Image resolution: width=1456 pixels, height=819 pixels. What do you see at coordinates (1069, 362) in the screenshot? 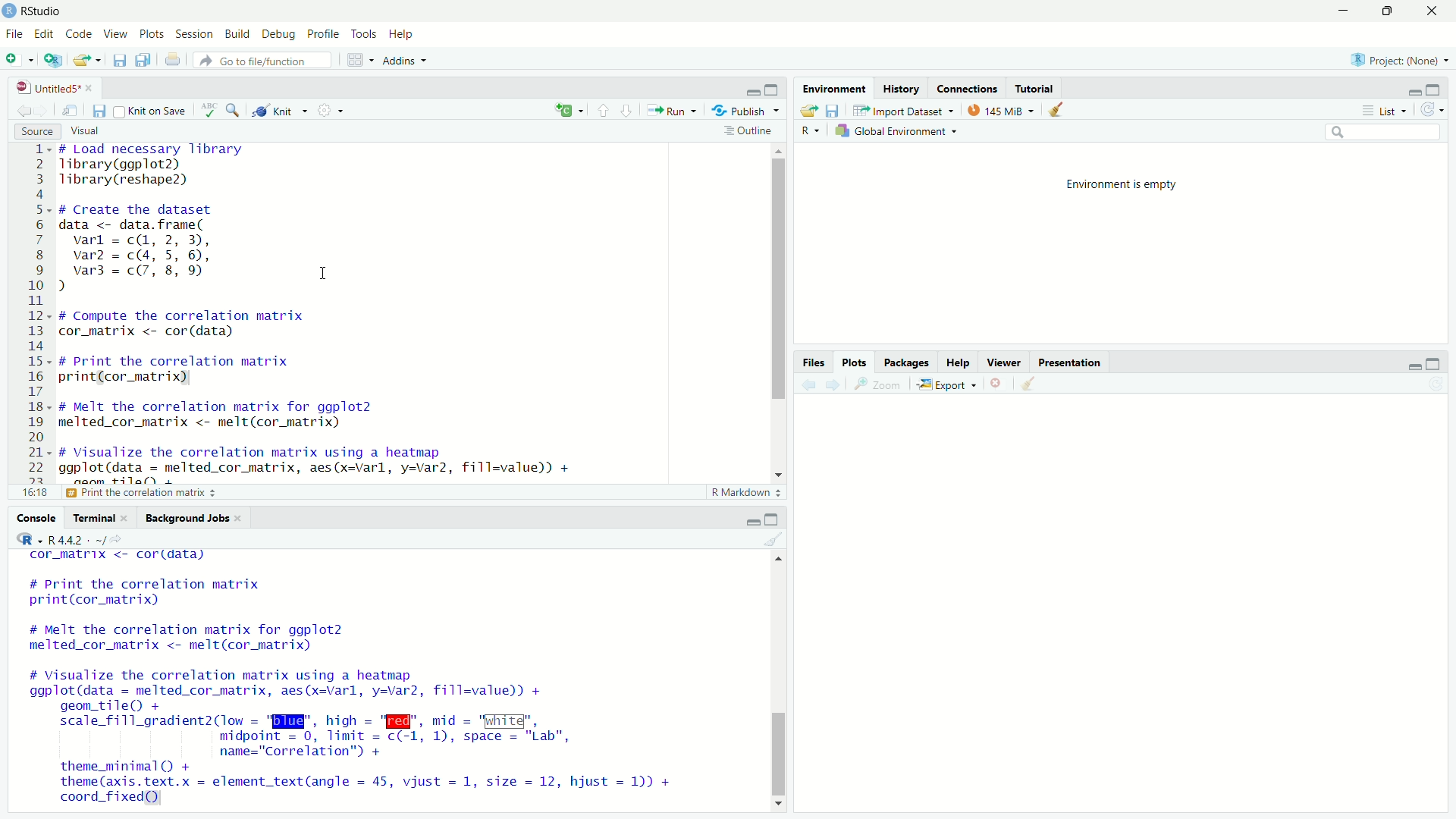
I see `presentation` at bounding box center [1069, 362].